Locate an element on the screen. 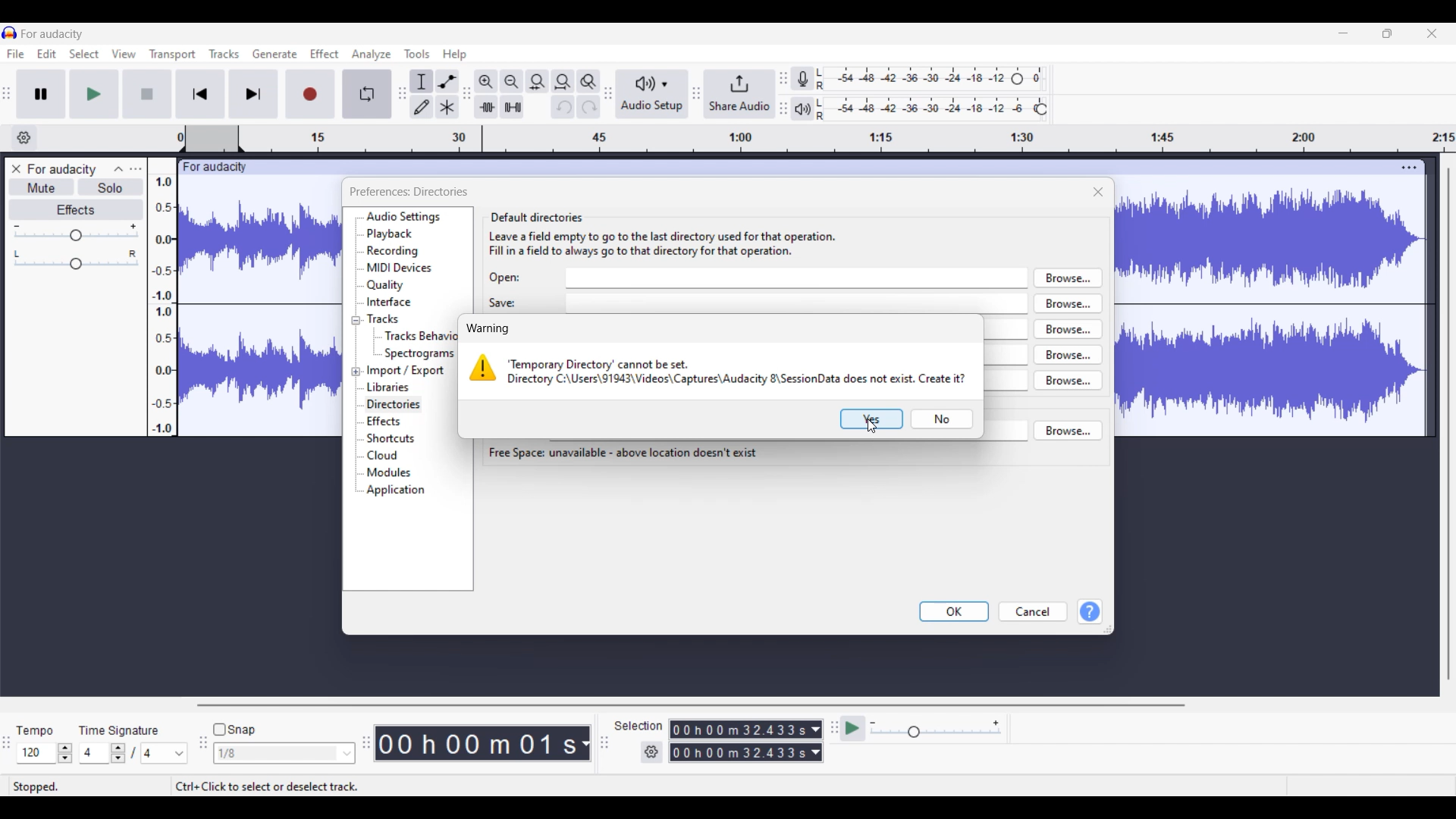 Image resolution: width=1456 pixels, height=819 pixels. browse is located at coordinates (1068, 278).